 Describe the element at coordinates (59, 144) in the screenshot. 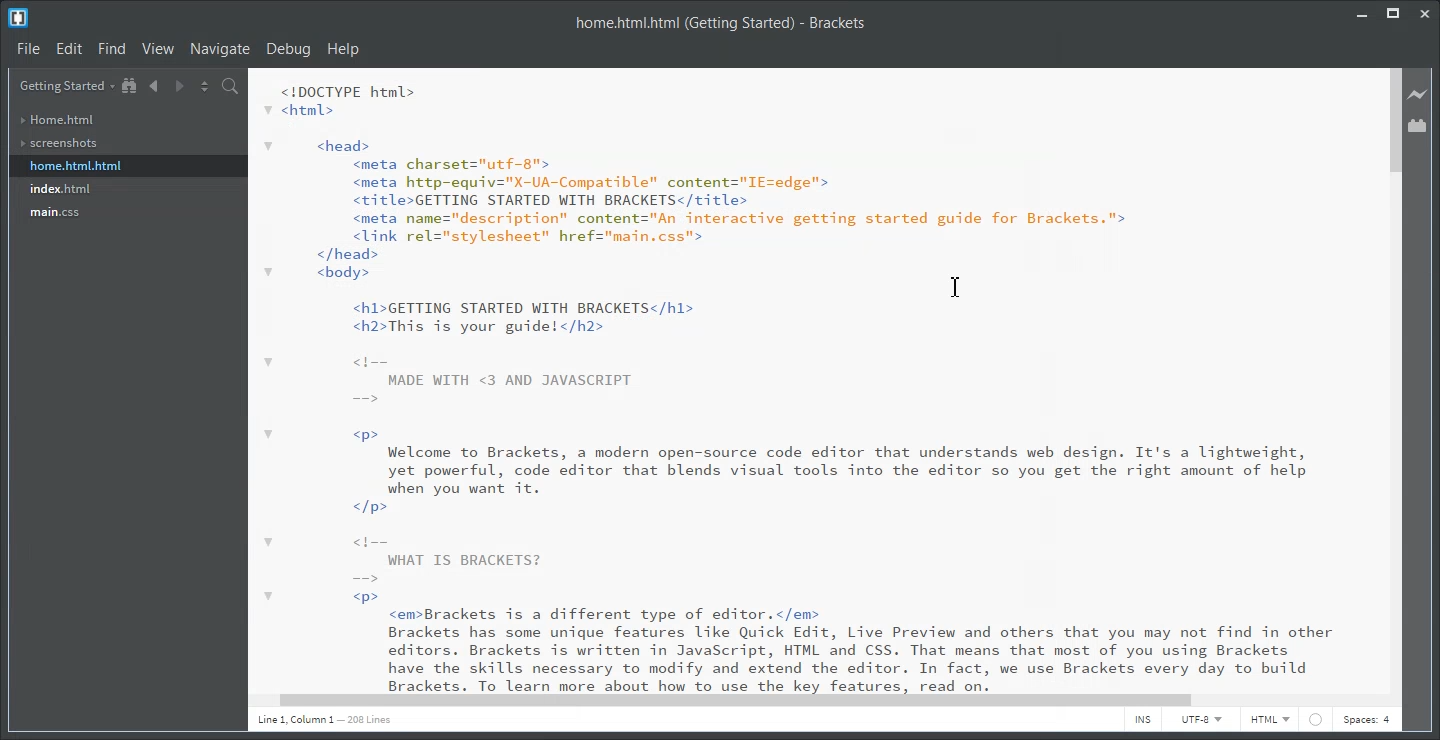

I see `Screenshots` at that location.